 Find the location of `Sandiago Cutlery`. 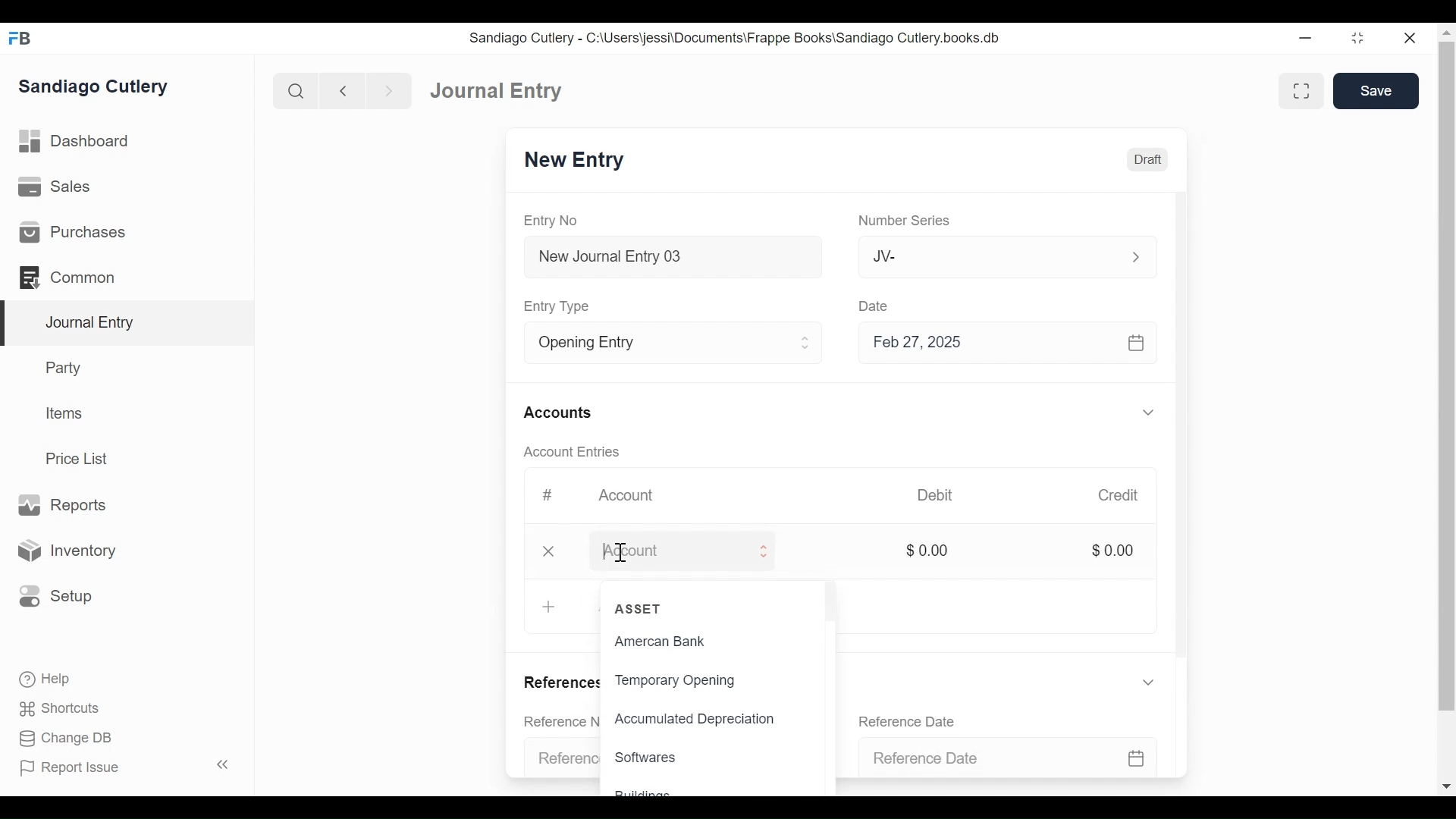

Sandiago Cutlery is located at coordinates (93, 88).